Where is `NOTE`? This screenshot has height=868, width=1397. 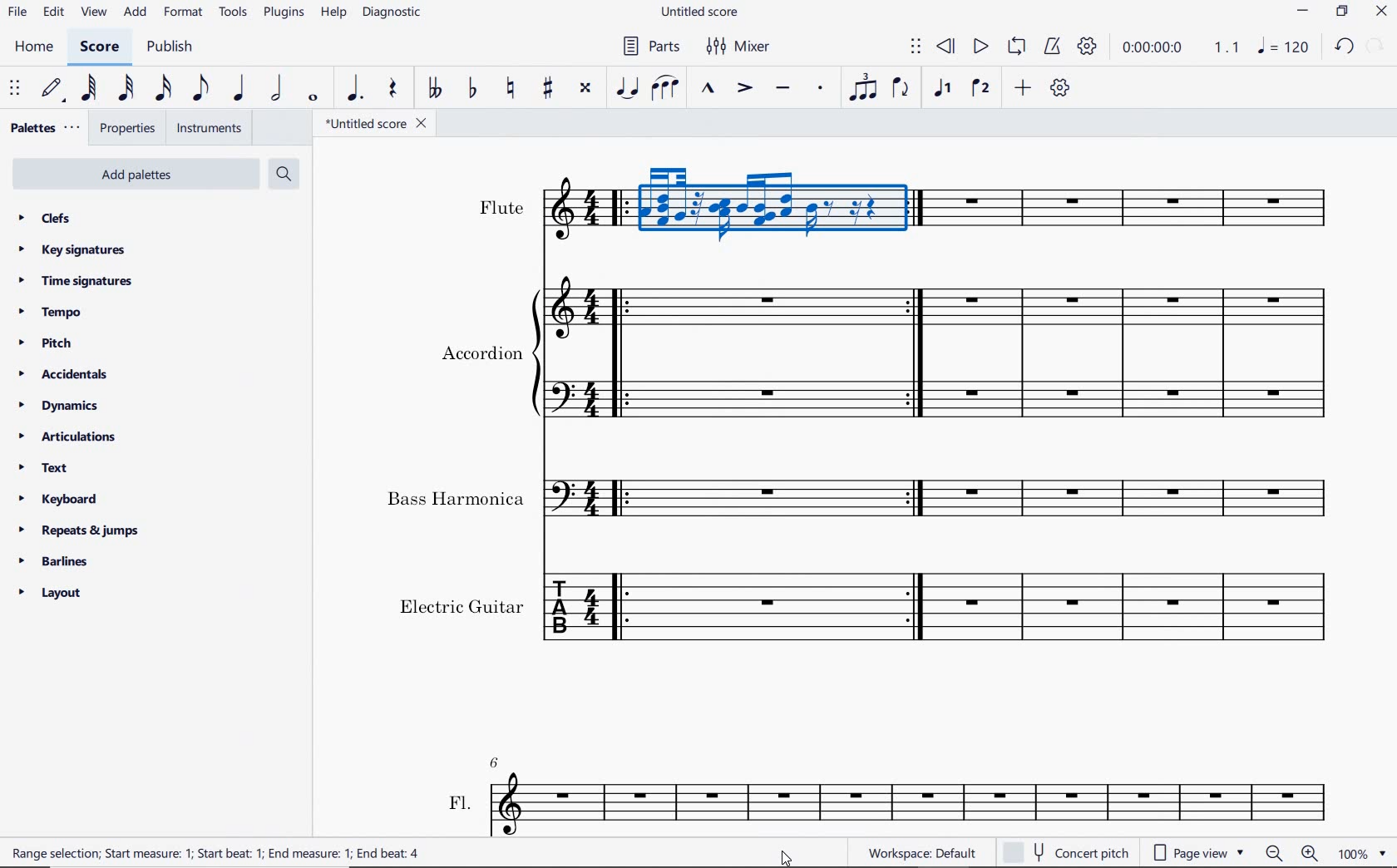 NOTE is located at coordinates (1284, 46).